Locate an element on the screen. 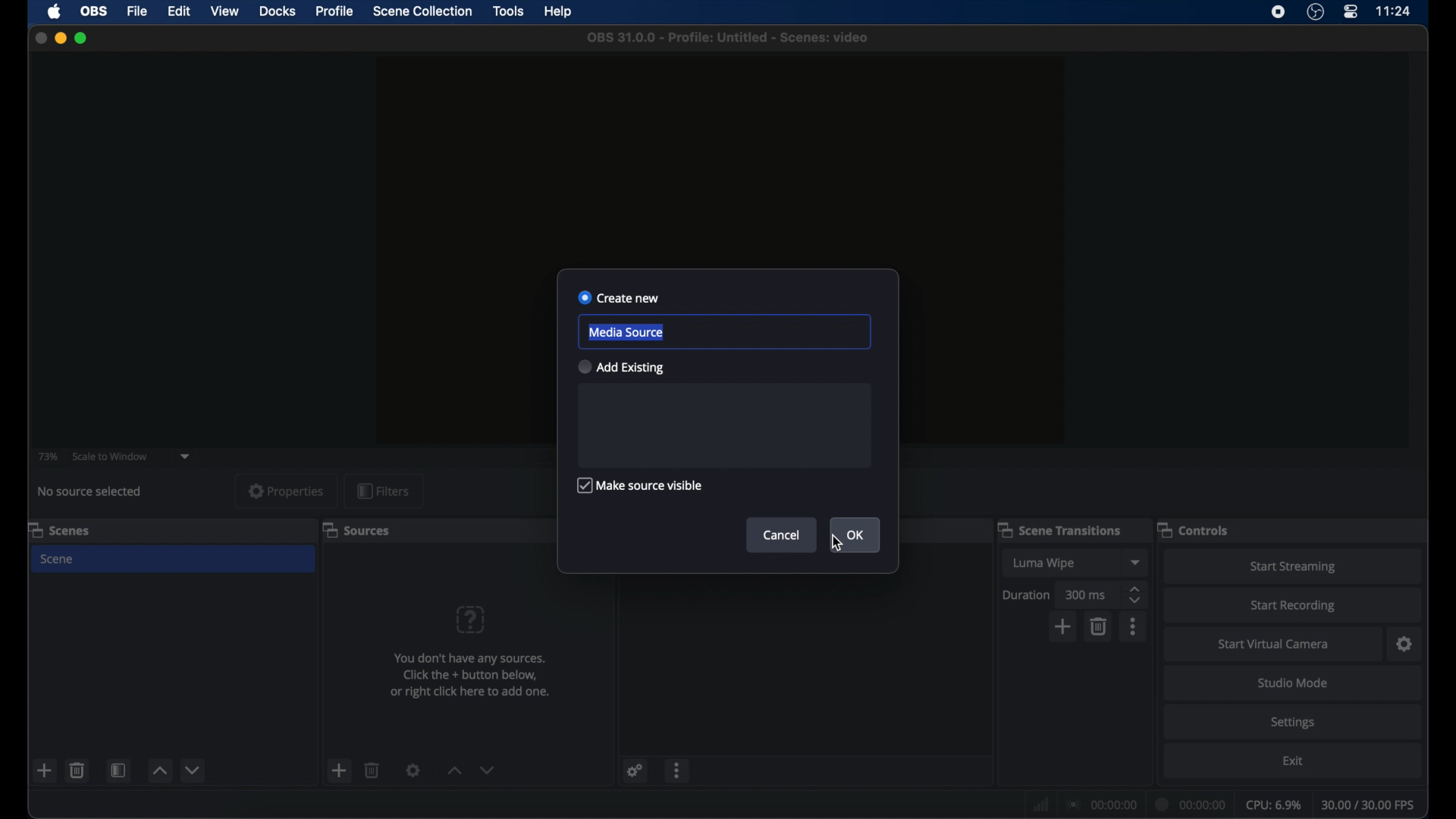  controls is located at coordinates (1194, 531).